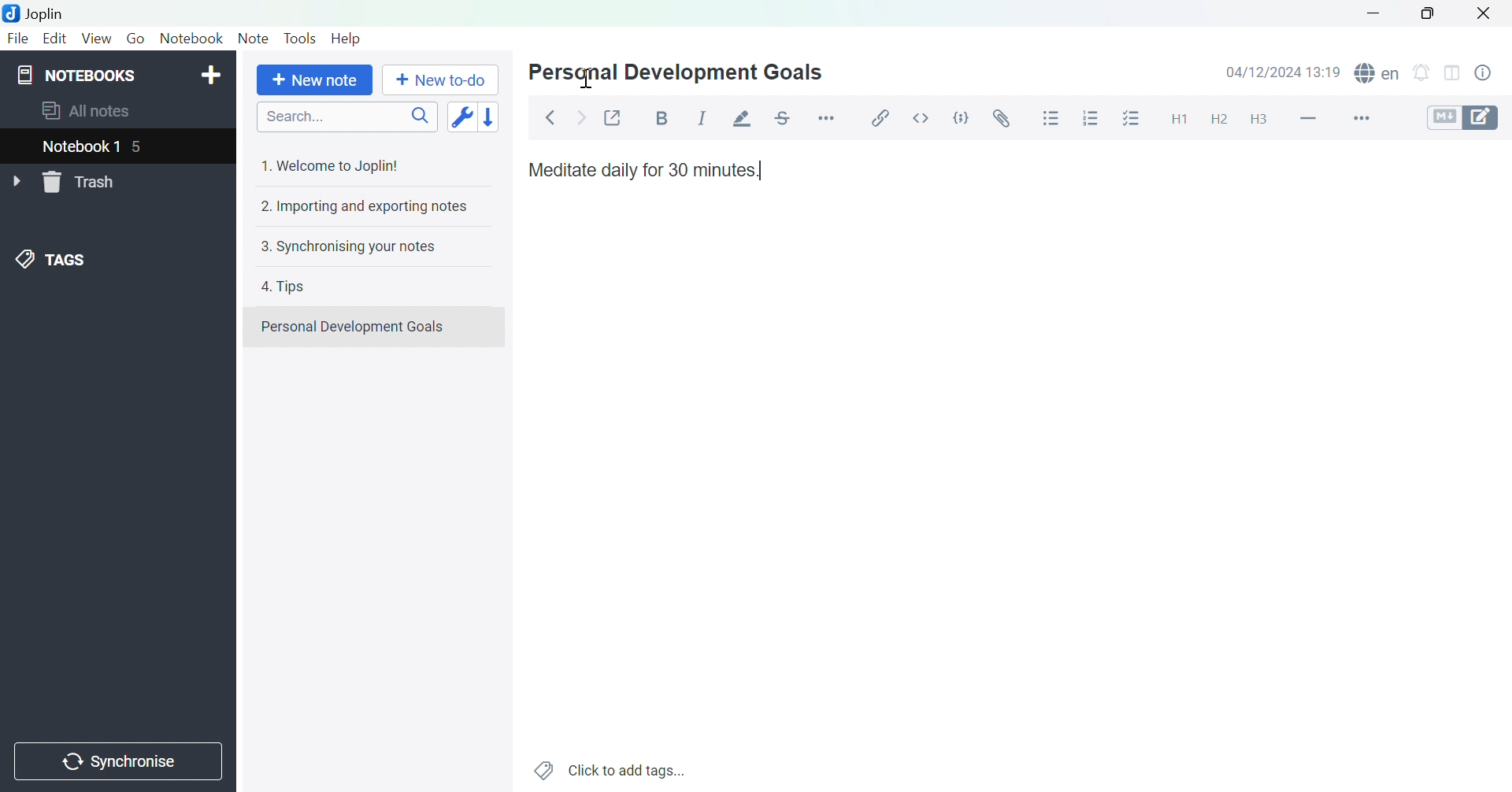 The width and height of the screenshot is (1512, 792). Describe the element at coordinates (658, 118) in the screenshot. I see `Bold` at that location.